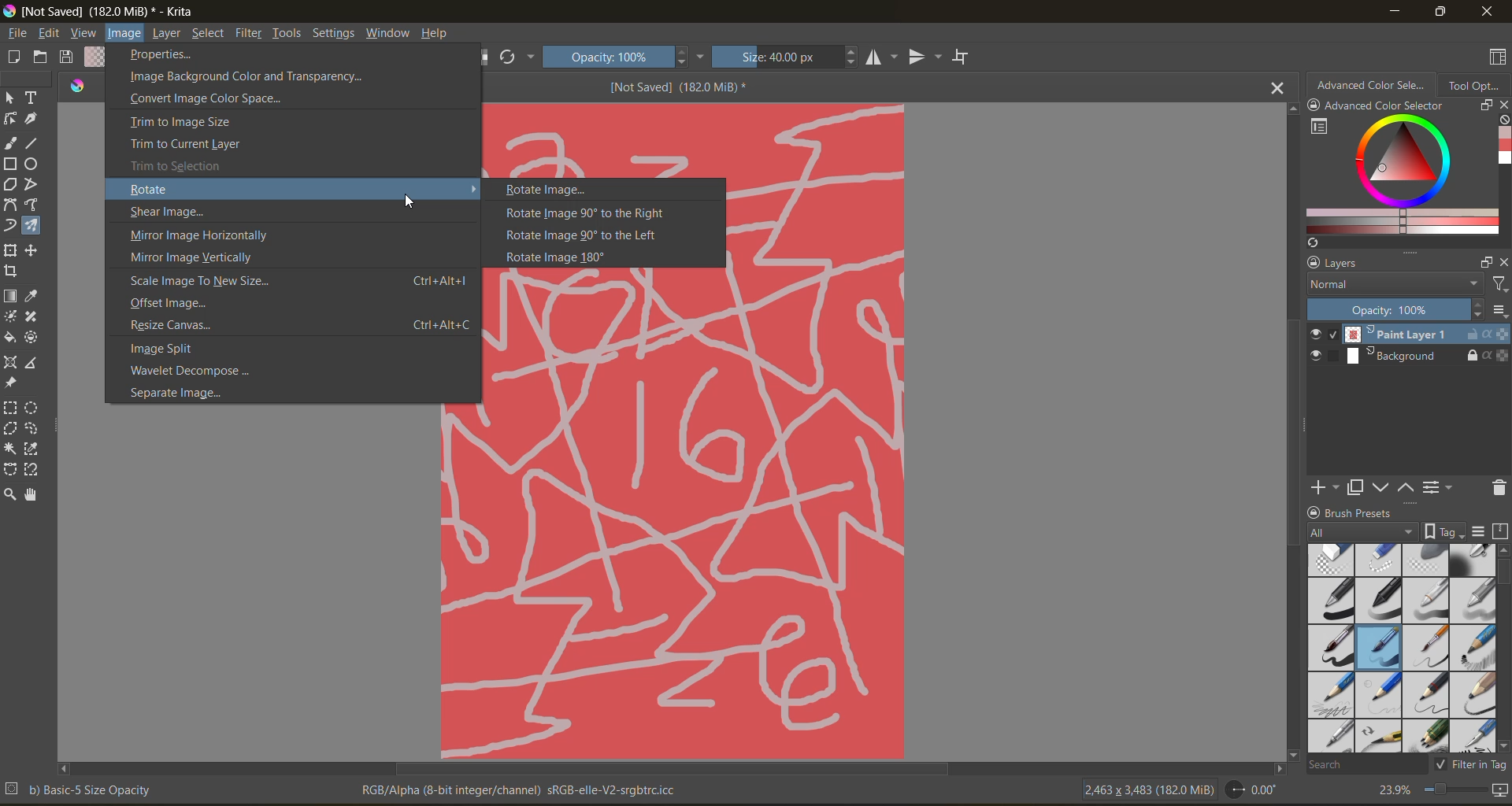  Describe the element at coordinates (1497, 490) in the screenshot. I see `delete layer` at that location.